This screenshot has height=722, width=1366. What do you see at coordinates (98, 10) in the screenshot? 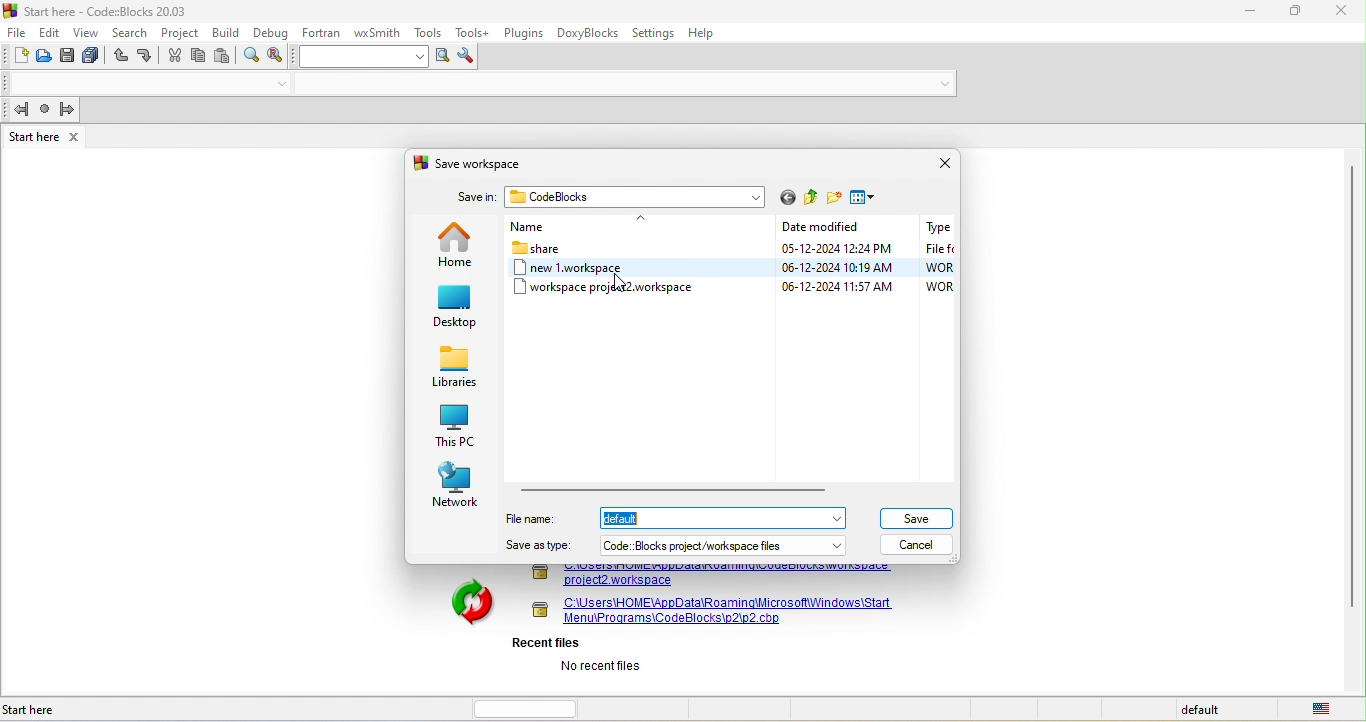
I see `Start here - Code::Blocks 20.03` at bounding box center [98, 10].